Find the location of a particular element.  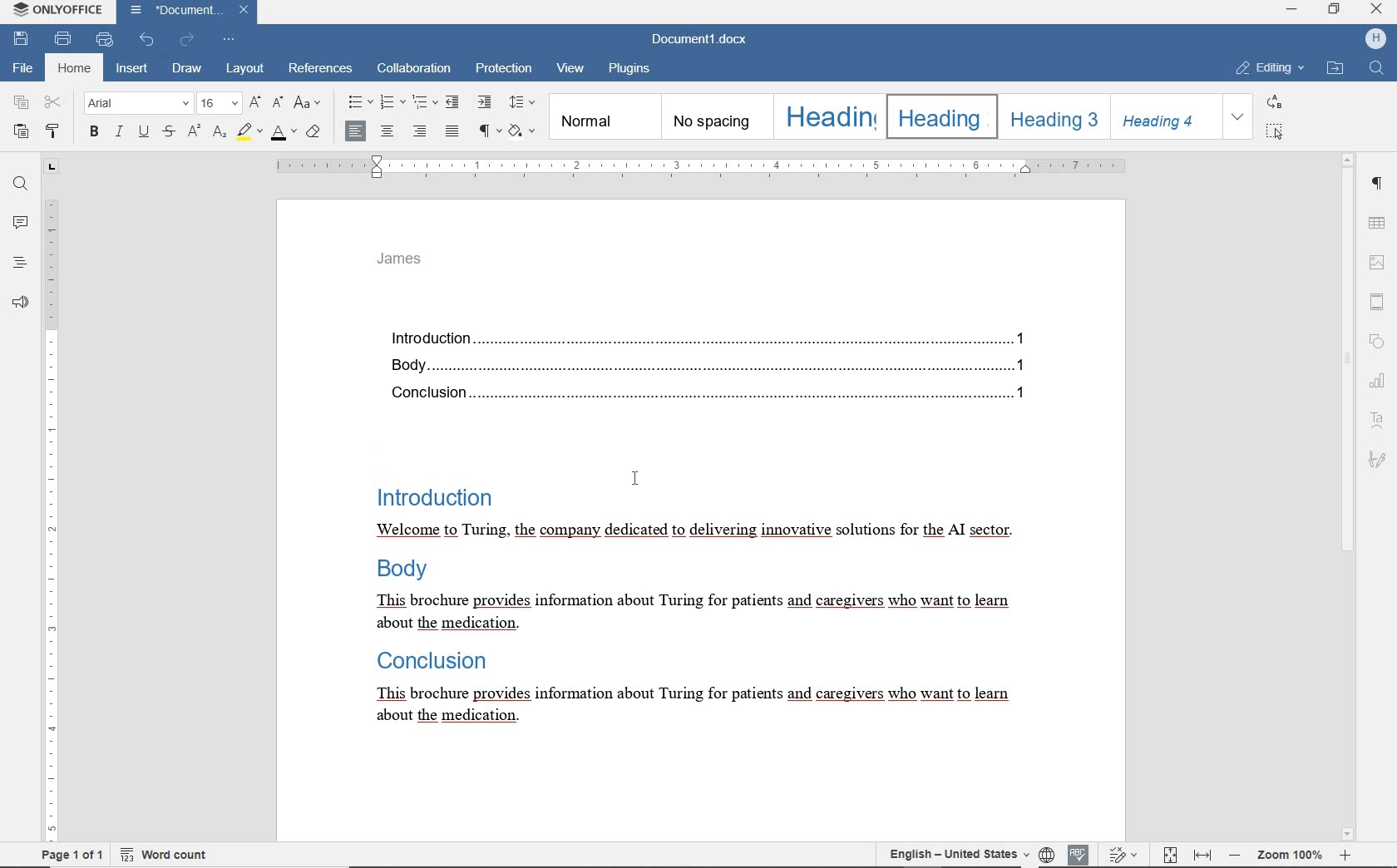

comments is located at coordinates (19, 223).